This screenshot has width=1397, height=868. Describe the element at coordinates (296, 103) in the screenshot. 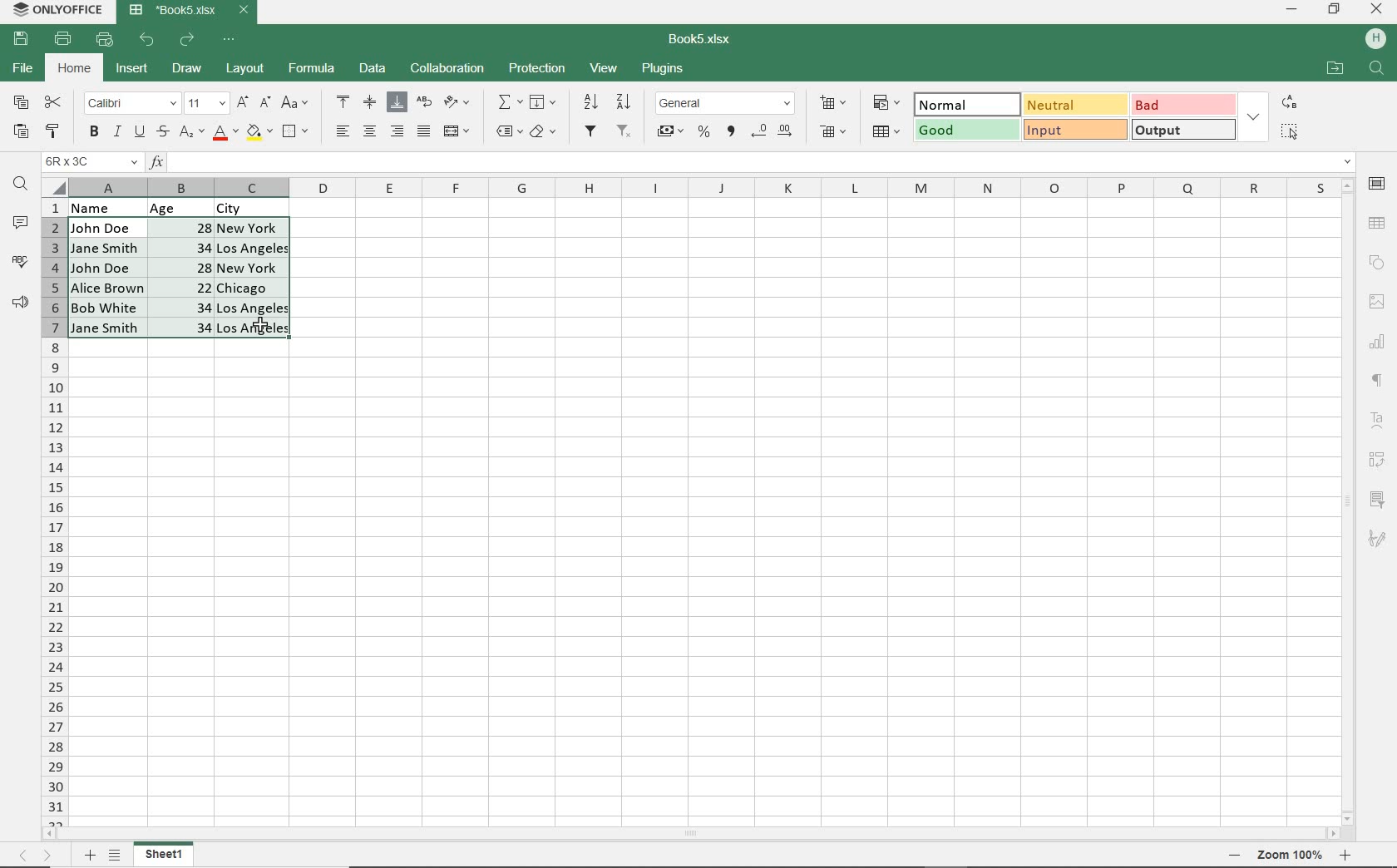

I see `CHANGE CASE` at that location.